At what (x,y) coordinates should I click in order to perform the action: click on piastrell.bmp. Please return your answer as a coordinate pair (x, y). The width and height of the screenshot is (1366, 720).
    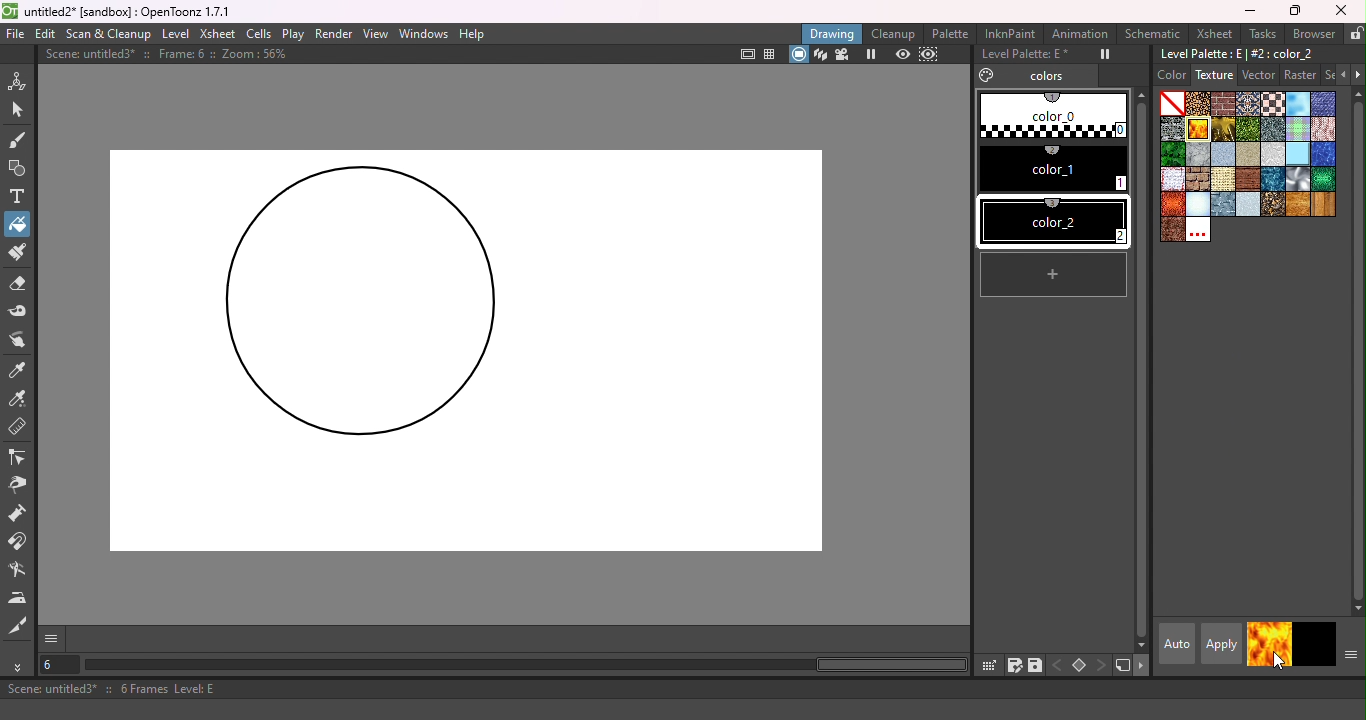
    Looking at the image, I should click on (1298, 154).